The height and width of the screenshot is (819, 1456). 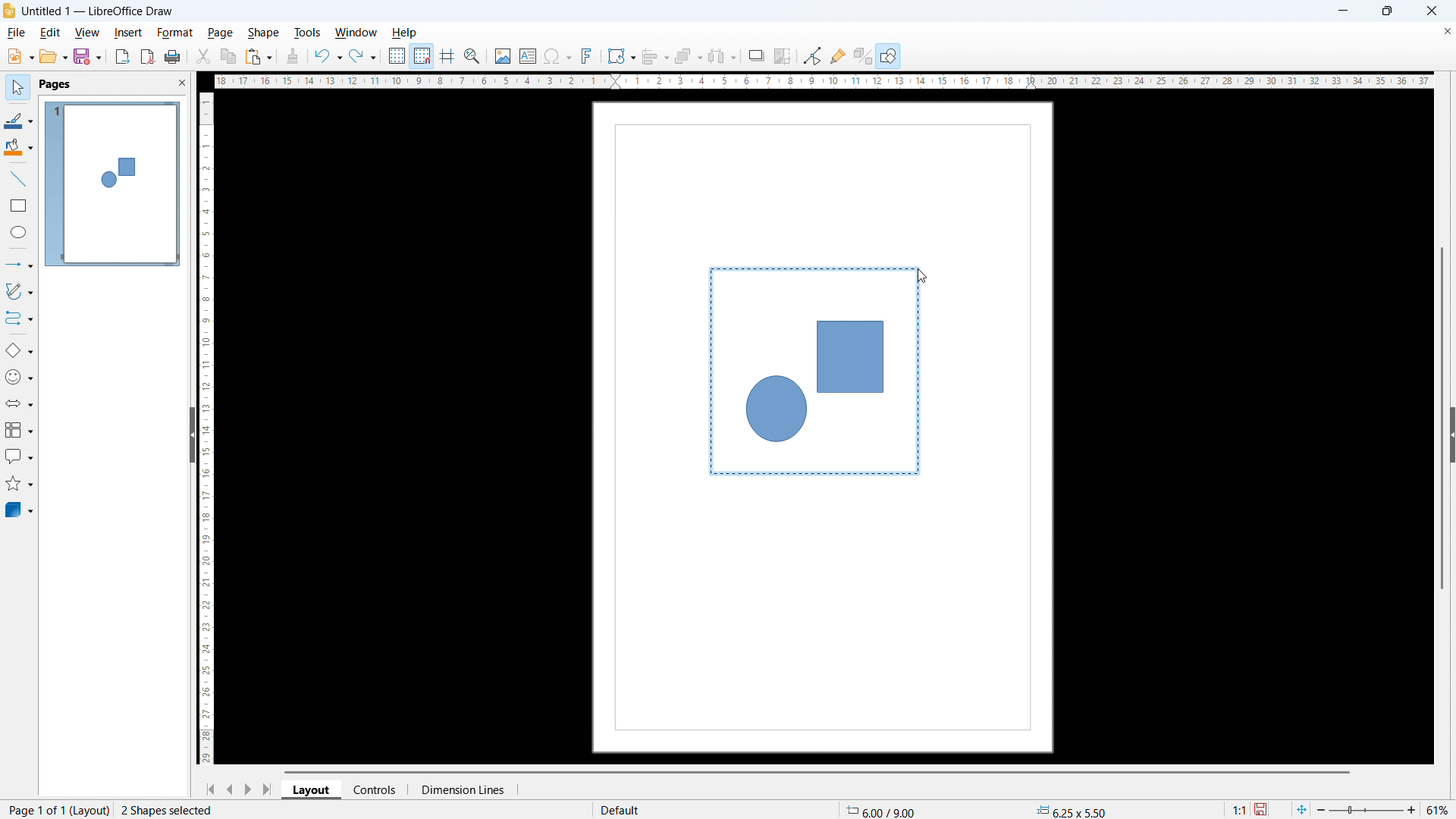 I want to click on line, so click(x=19, y=179).